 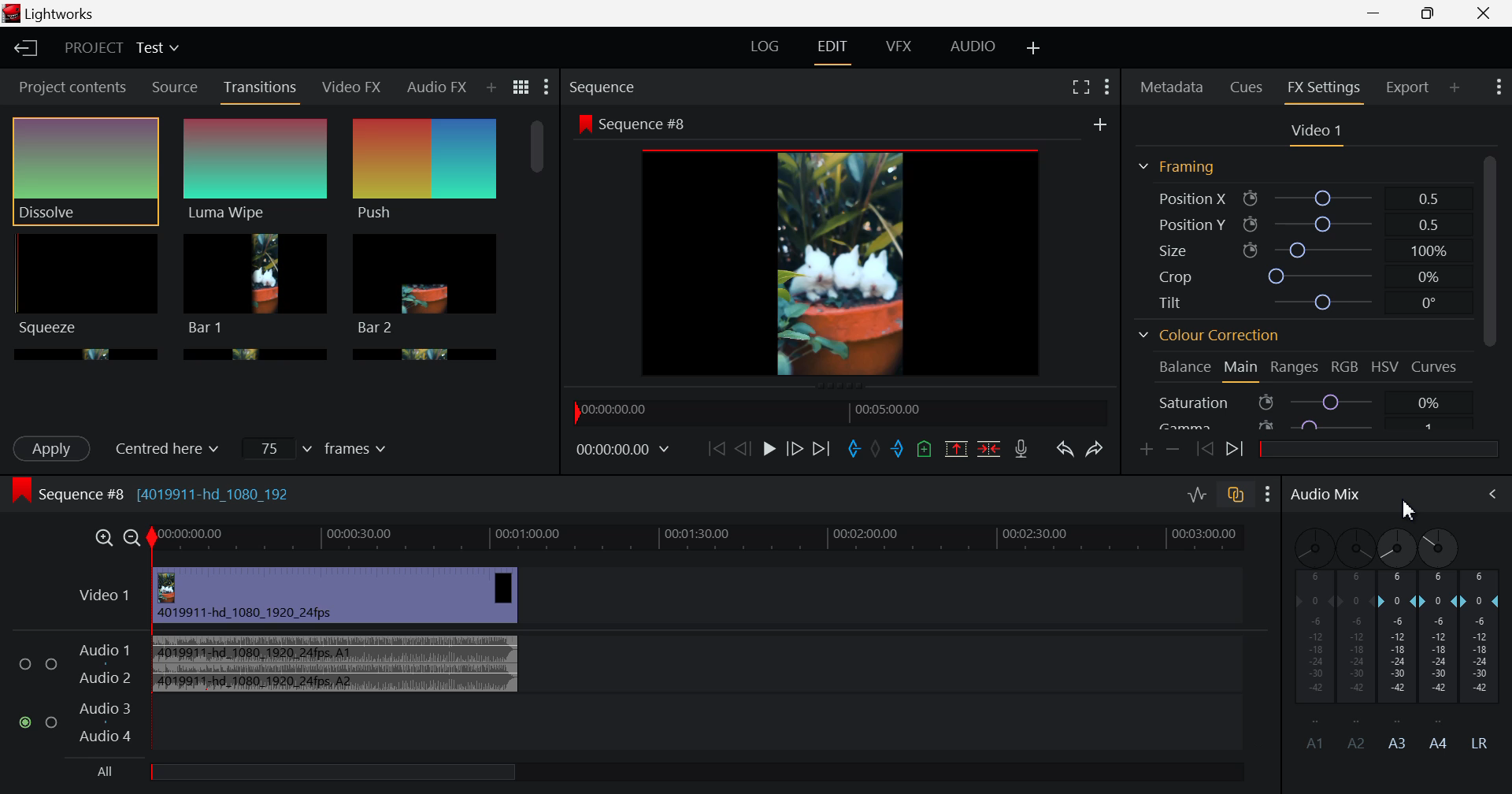 What do you see at coordinates (1438, 641) in the screenshot?
I see `A4 Channel Decibel Level` at bounding box center [1438, 641].